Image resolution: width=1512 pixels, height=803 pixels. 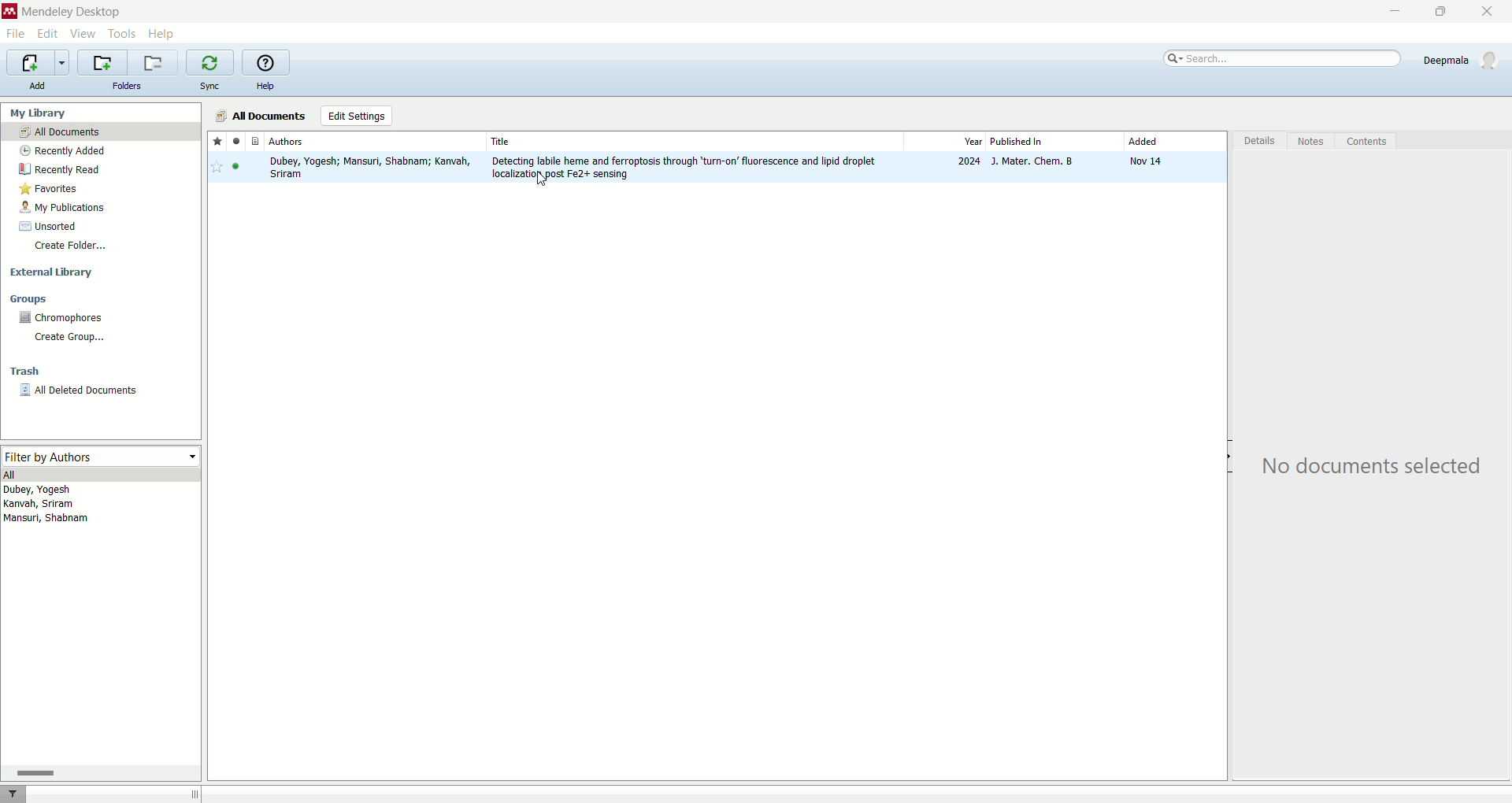 What do you see at coordinates (265, 62) in the screenshot?
I see `help guide for mendeley` at bounding box center [265, 62].